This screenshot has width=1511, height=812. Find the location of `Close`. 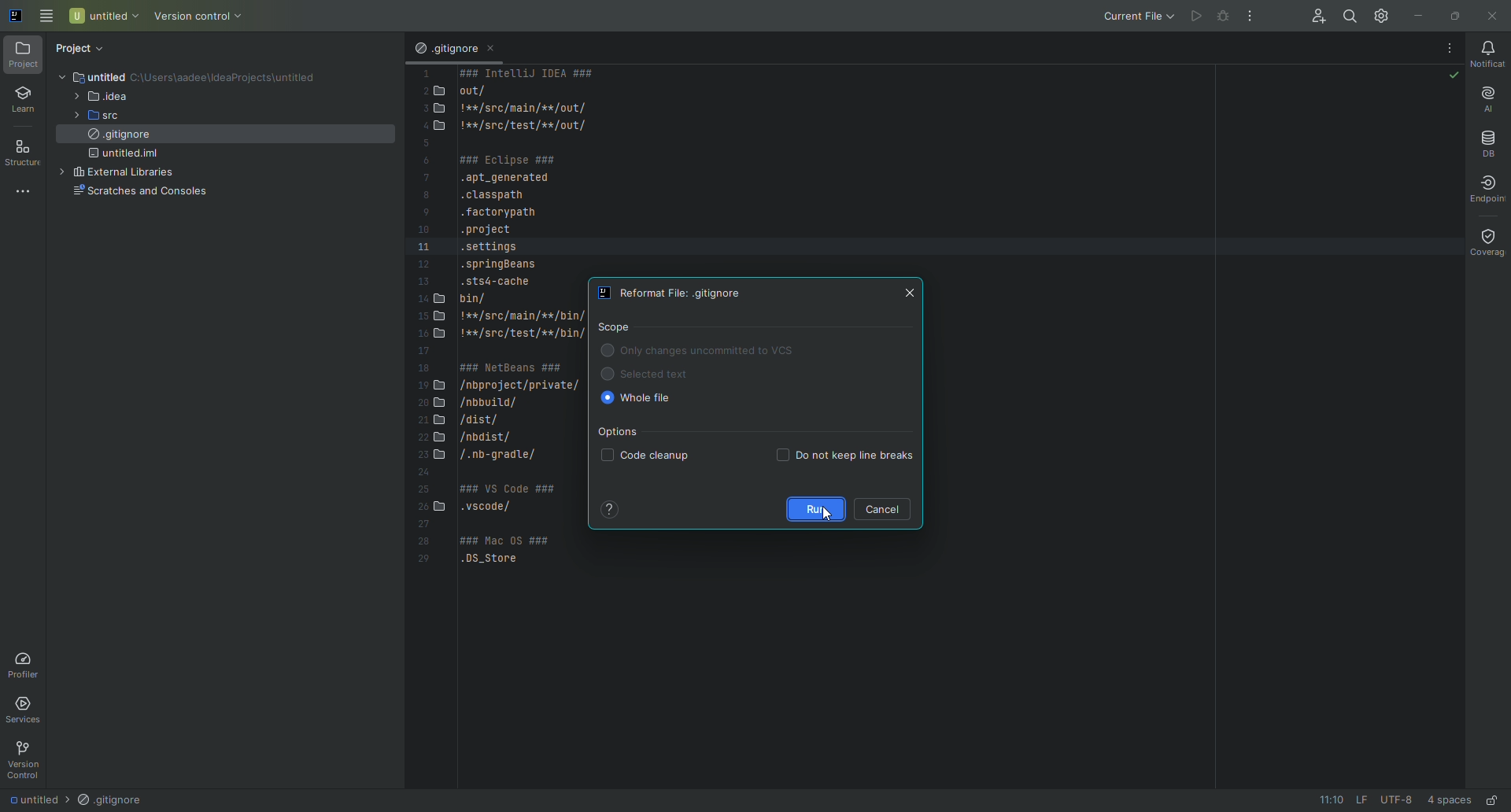

Close is located at coordinates (496, 51).